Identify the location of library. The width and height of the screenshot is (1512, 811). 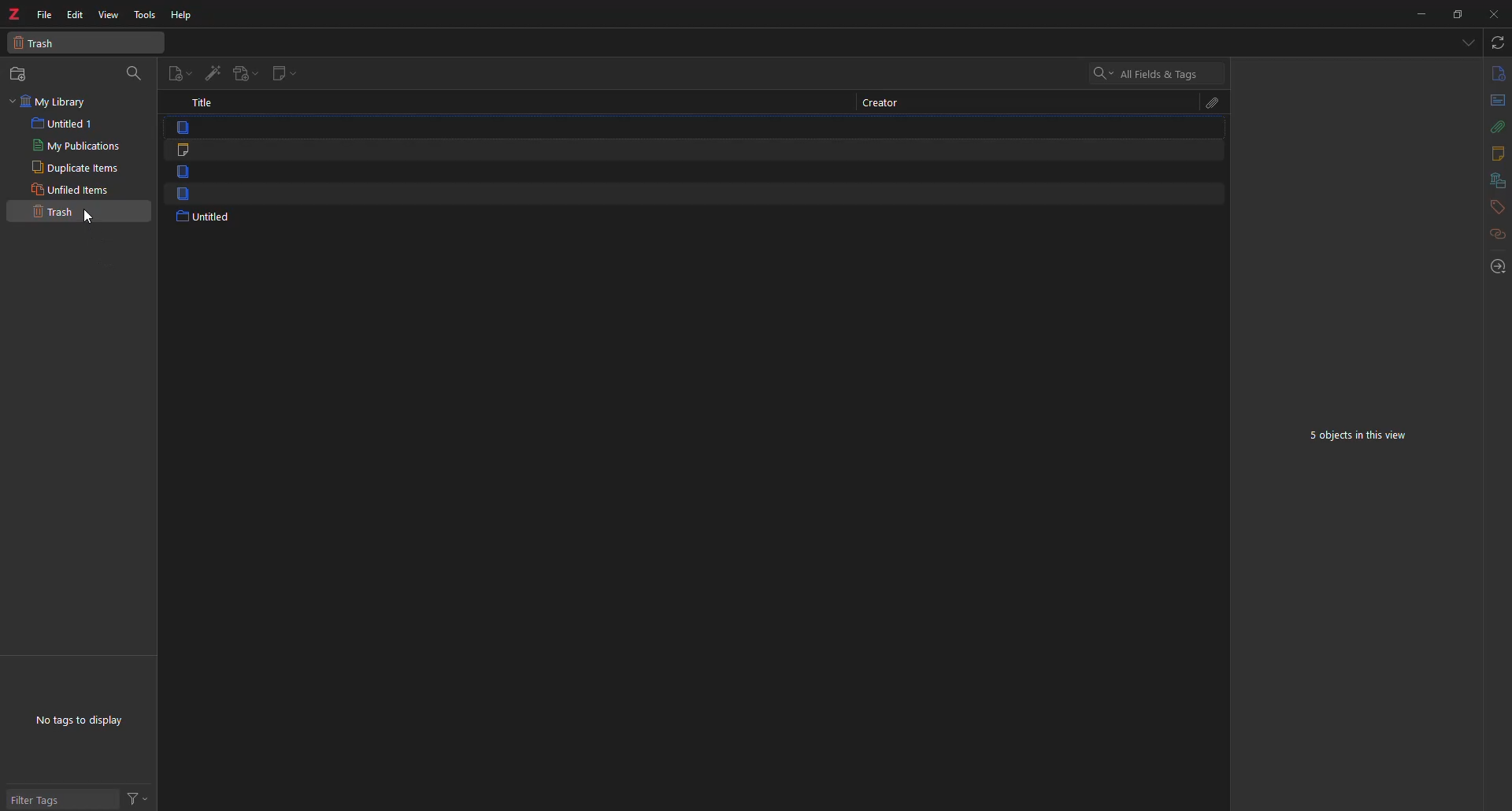
(1497, 180).